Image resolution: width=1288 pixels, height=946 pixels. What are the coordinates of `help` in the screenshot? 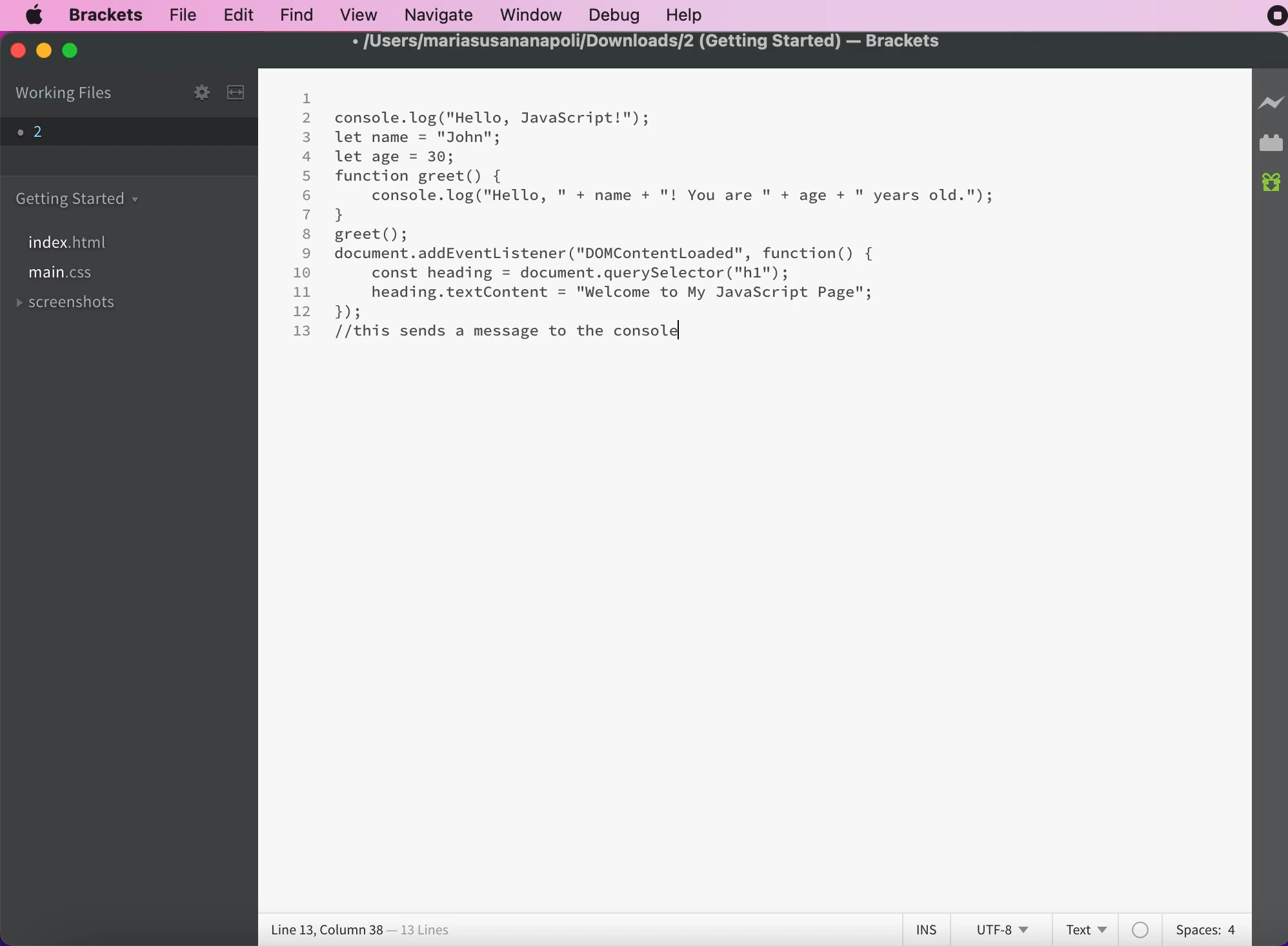 It's located at (689, 15).